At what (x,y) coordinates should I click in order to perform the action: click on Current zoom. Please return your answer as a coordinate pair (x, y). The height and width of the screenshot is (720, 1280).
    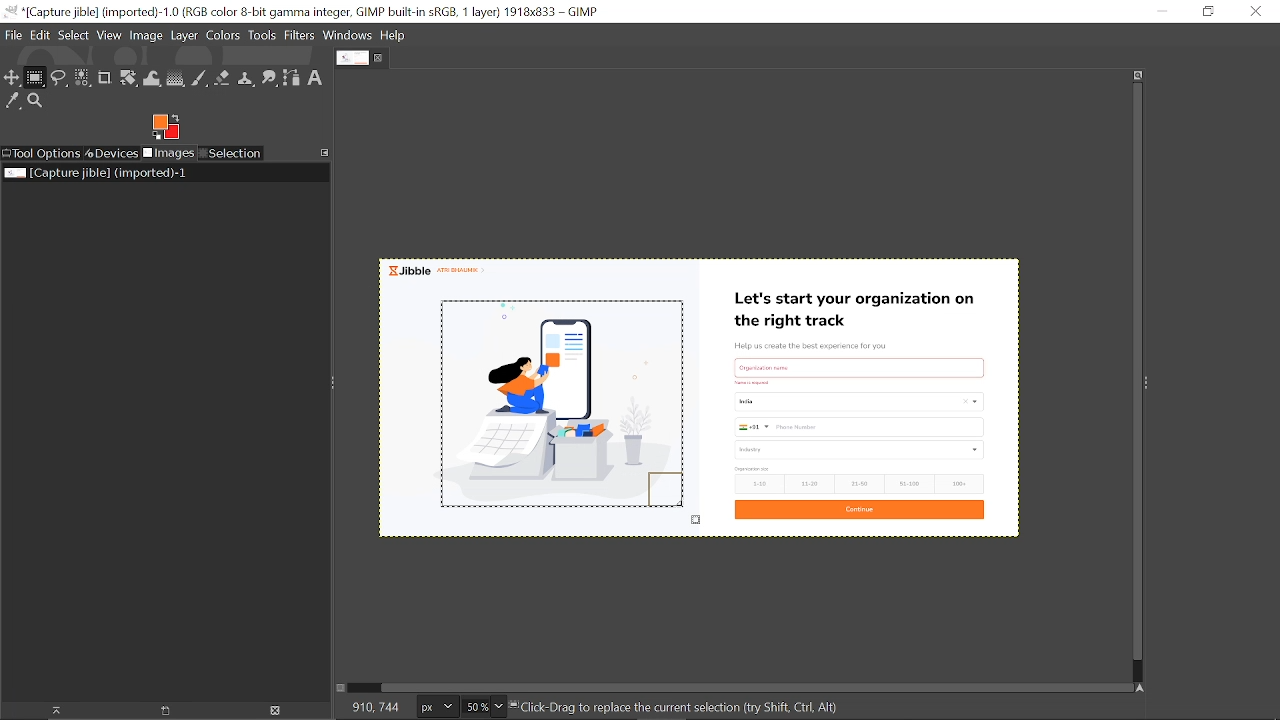
    Looking at the image, I should click on (474, 708).